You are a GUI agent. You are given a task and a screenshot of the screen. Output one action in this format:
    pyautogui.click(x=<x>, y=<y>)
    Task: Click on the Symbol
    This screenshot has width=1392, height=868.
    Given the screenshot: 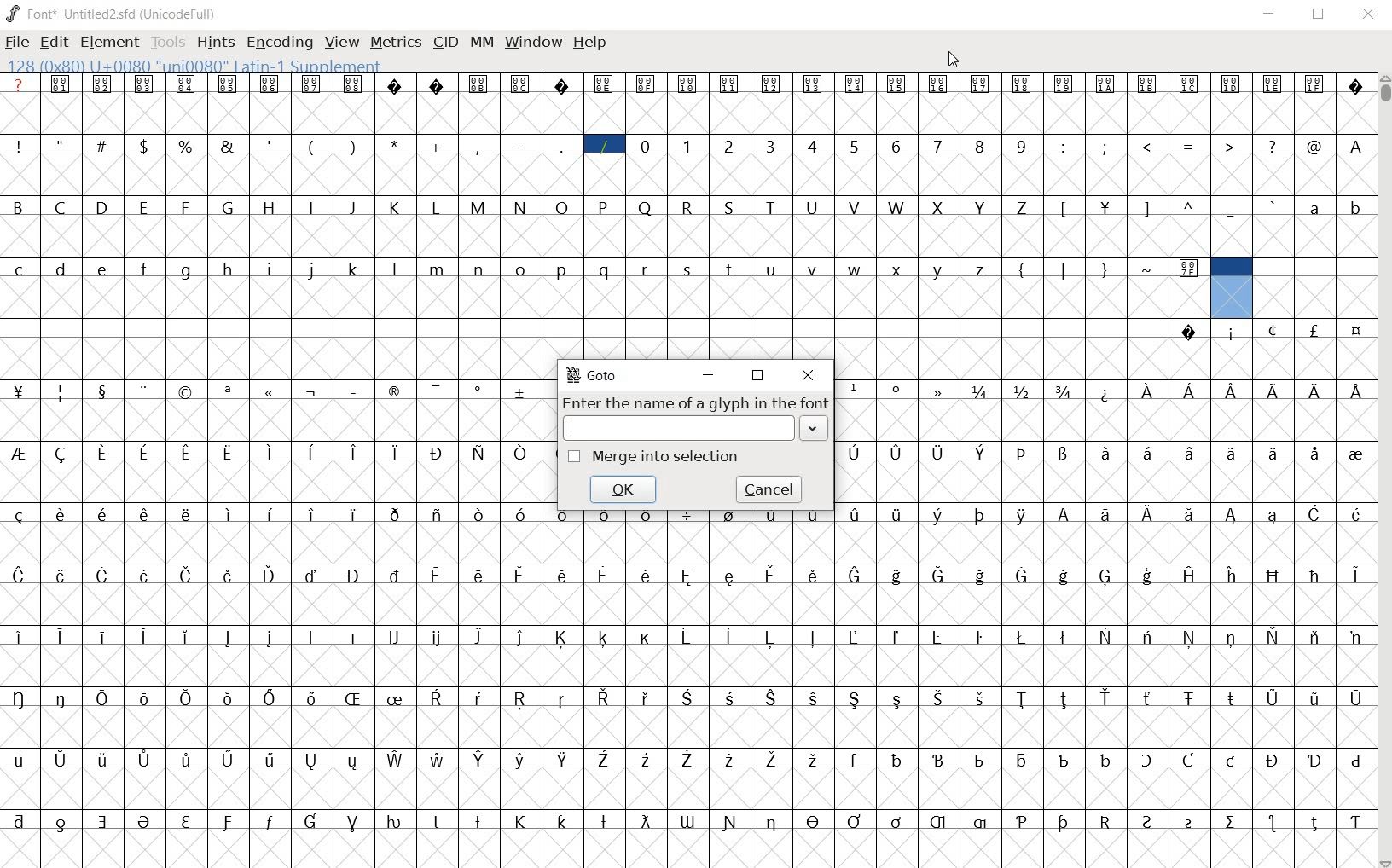 What is the action you would take?
    pyautogui.click(x=687, y=819)
    